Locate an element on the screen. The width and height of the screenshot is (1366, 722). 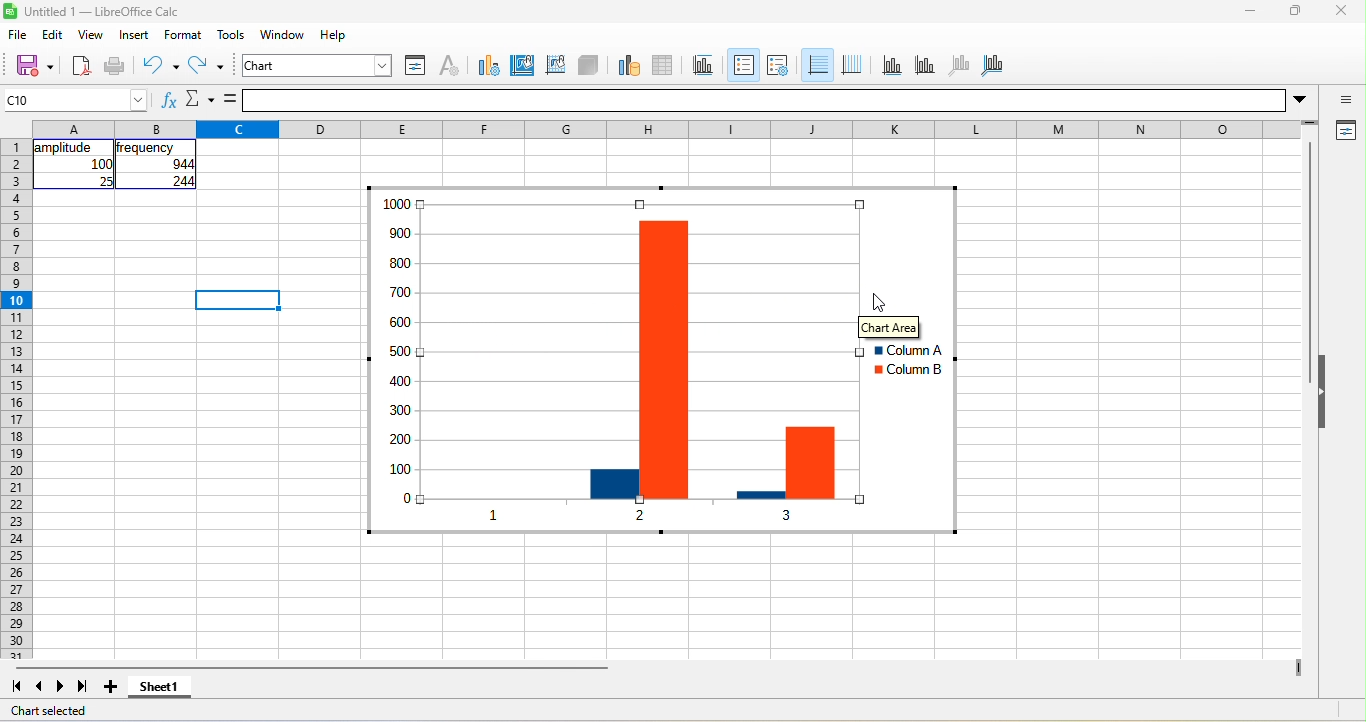
format selection is located at coordinates (413, 65).